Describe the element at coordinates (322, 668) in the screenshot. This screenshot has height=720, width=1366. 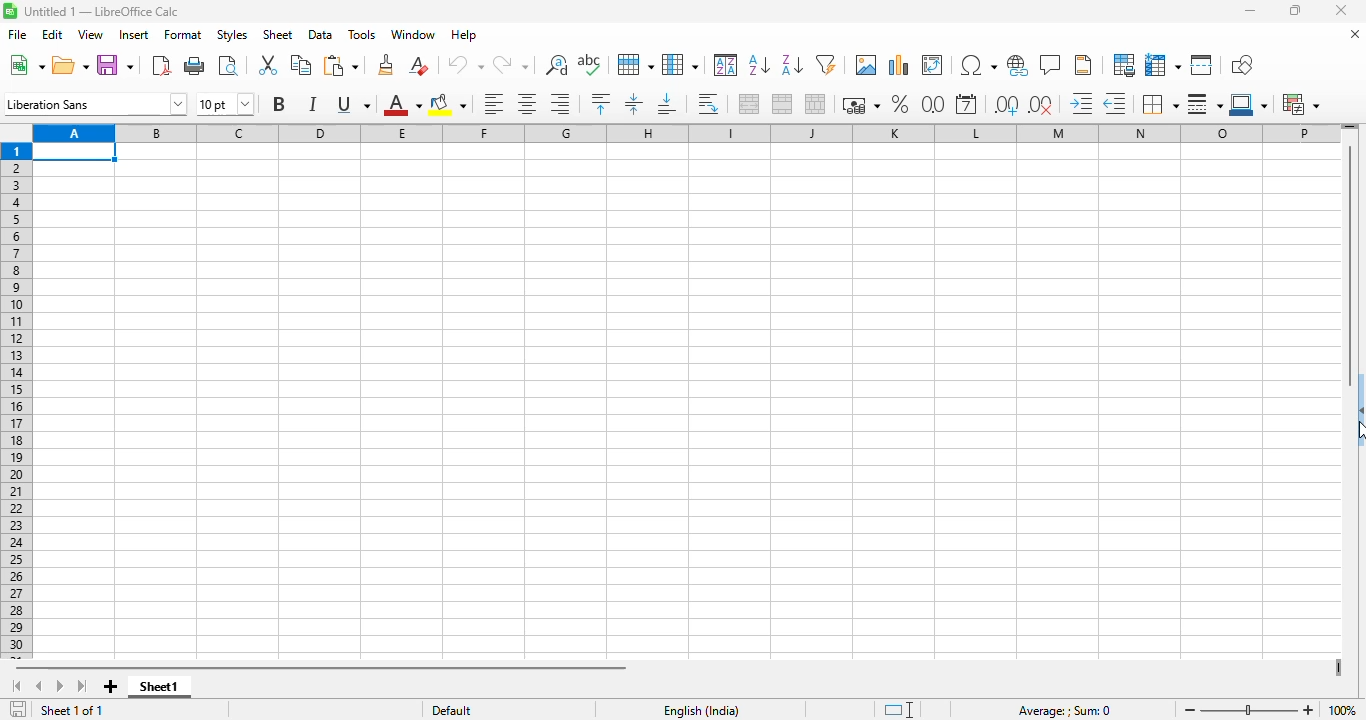
I see `horizontal scroll bar` at that location.